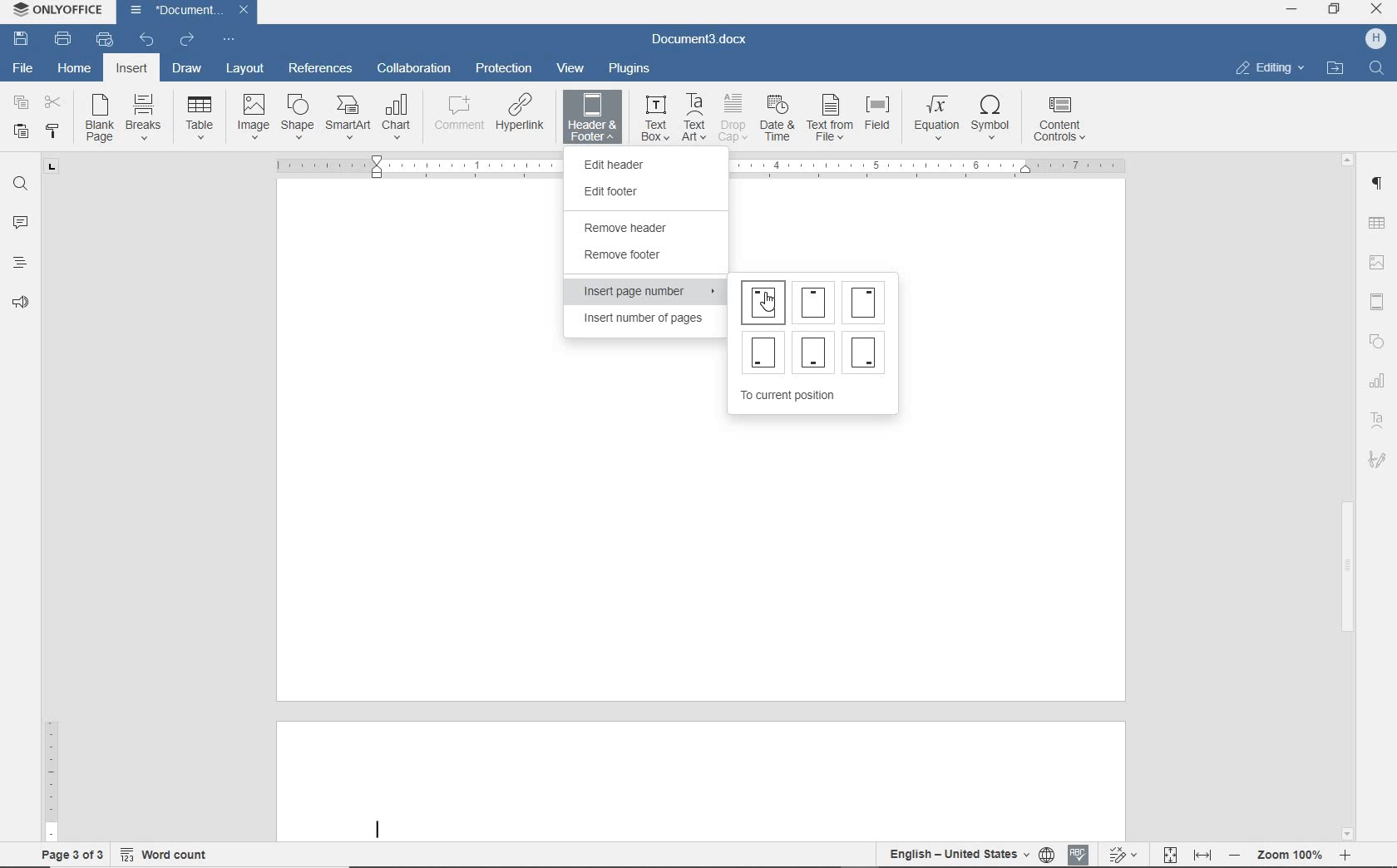  Describe the element at coordinates (1343, 858) in the screenshot. I see `Zoom In` at that location.